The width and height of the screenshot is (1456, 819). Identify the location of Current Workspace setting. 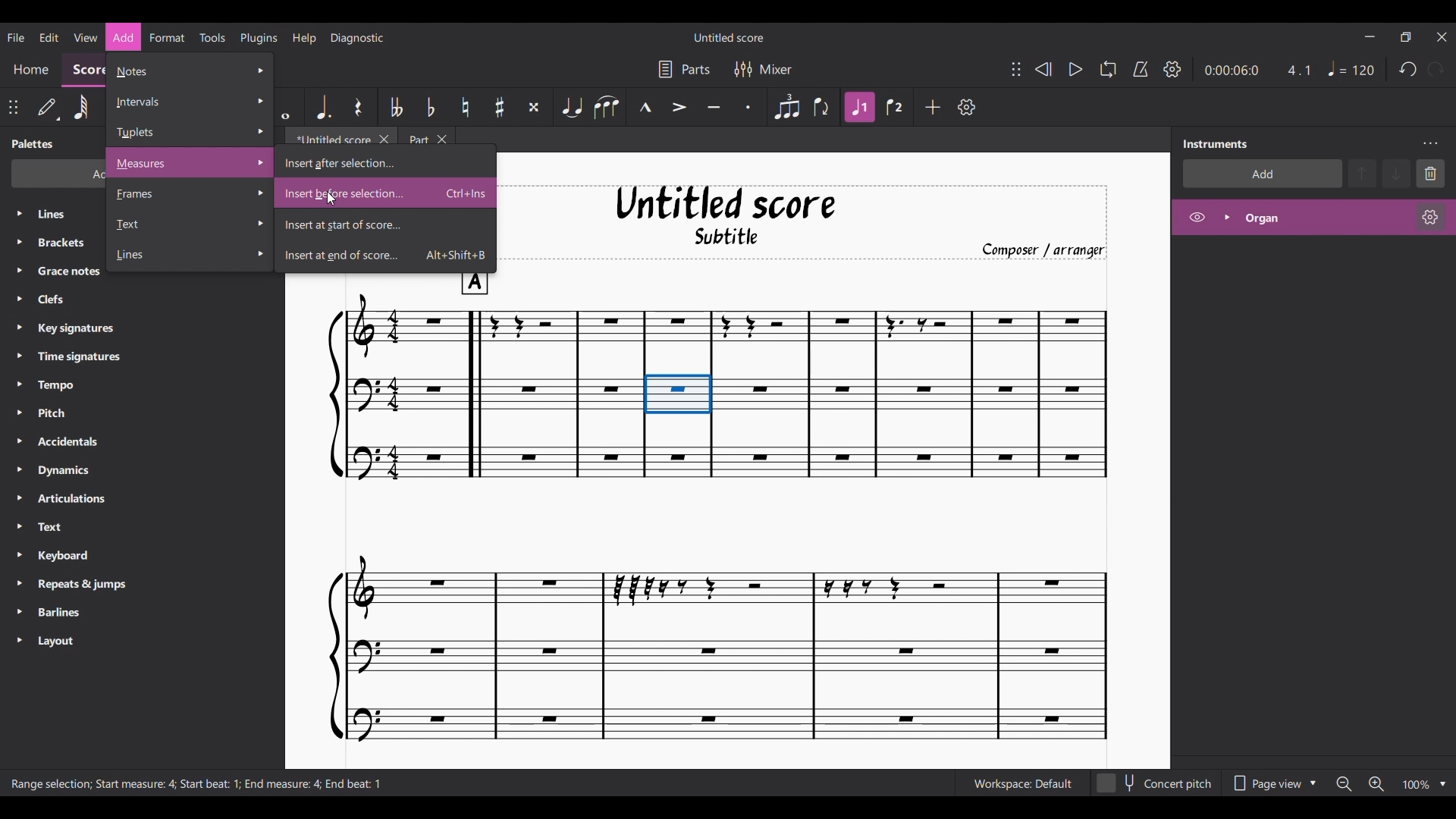
(1022, 783).